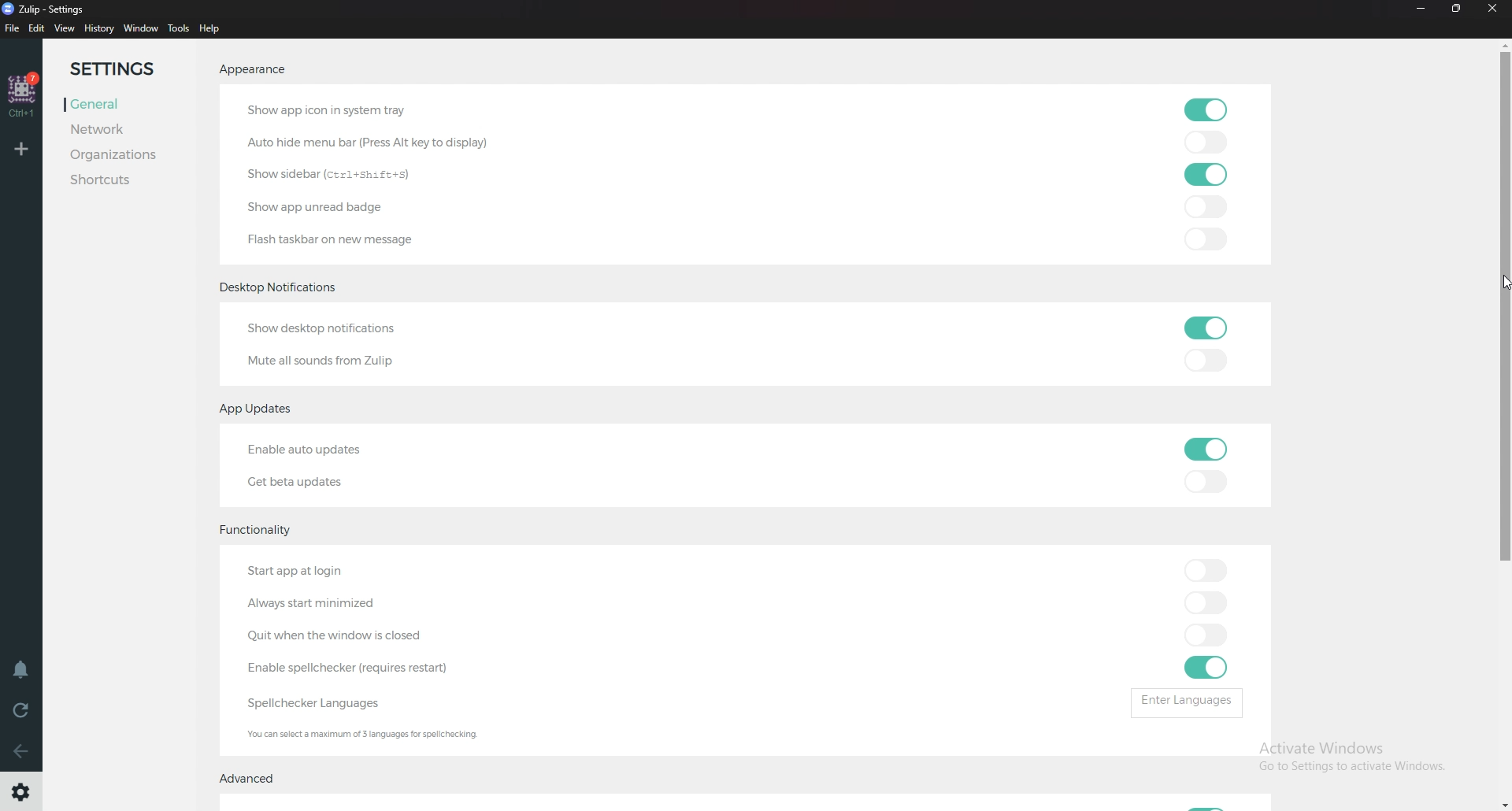 The width and height of the screenshot is (1512, 811). Describe the element at coordinates (1205, 668) in the screenshot. I see `toggle` at that location.